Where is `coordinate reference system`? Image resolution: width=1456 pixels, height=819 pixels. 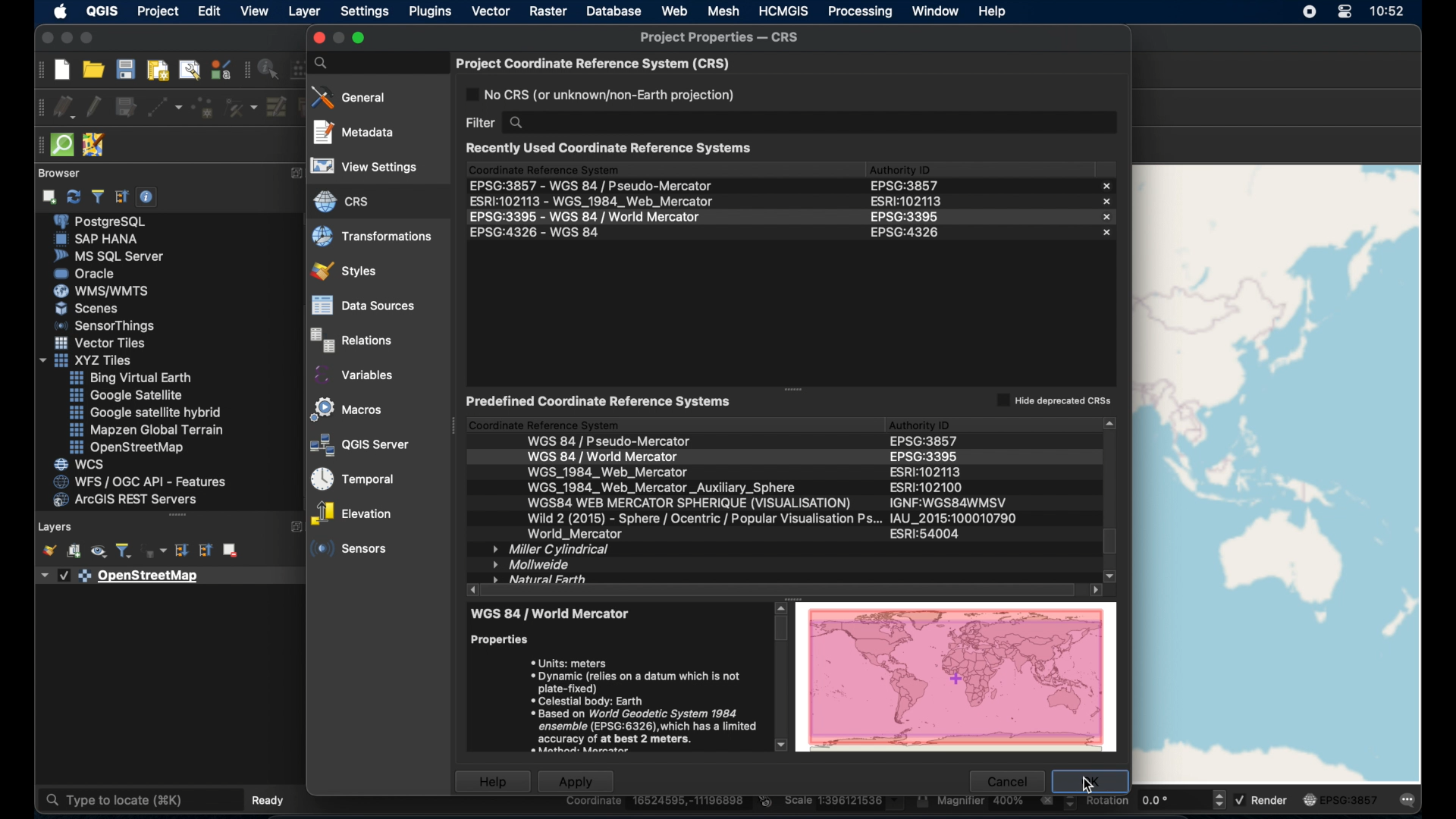 coordinate reference system is located at coordinates (544, 168).